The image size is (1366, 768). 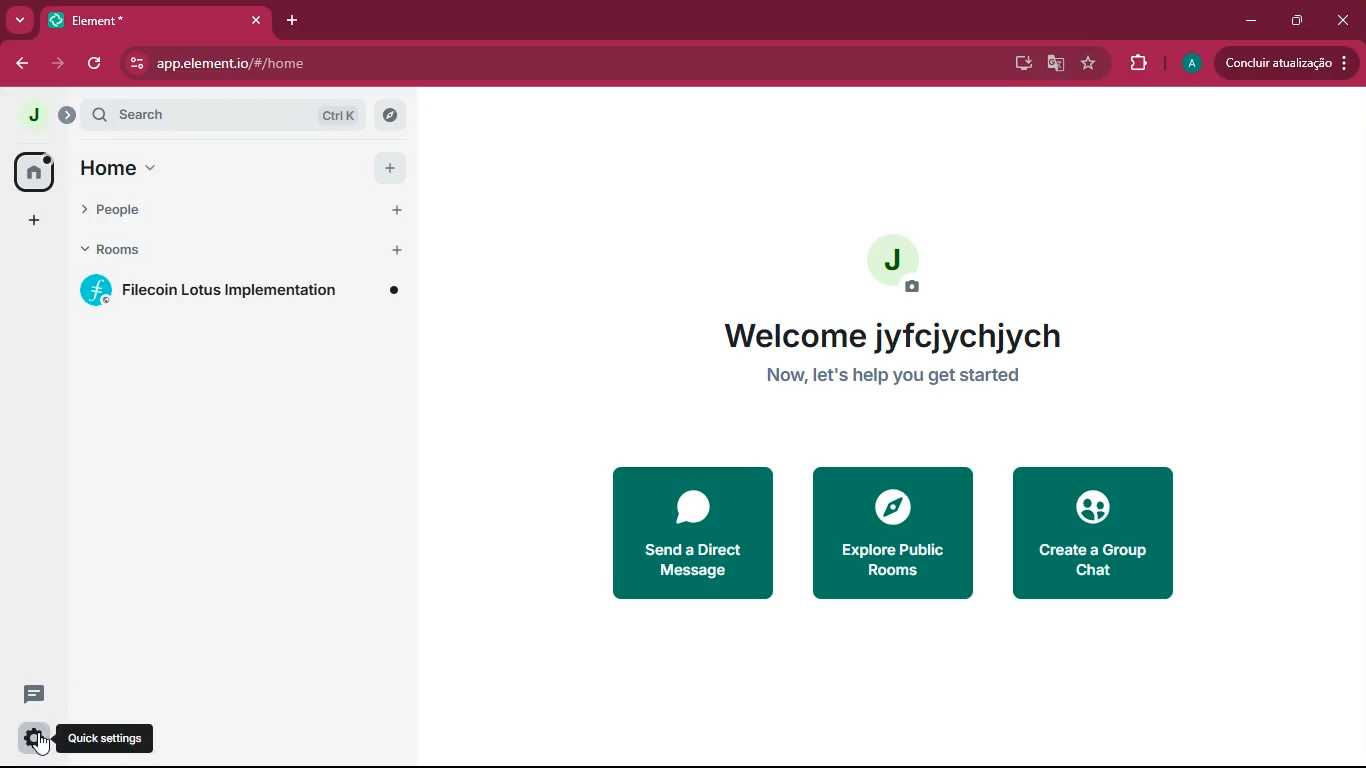 I want to click on people, so click(x=146, y=210).